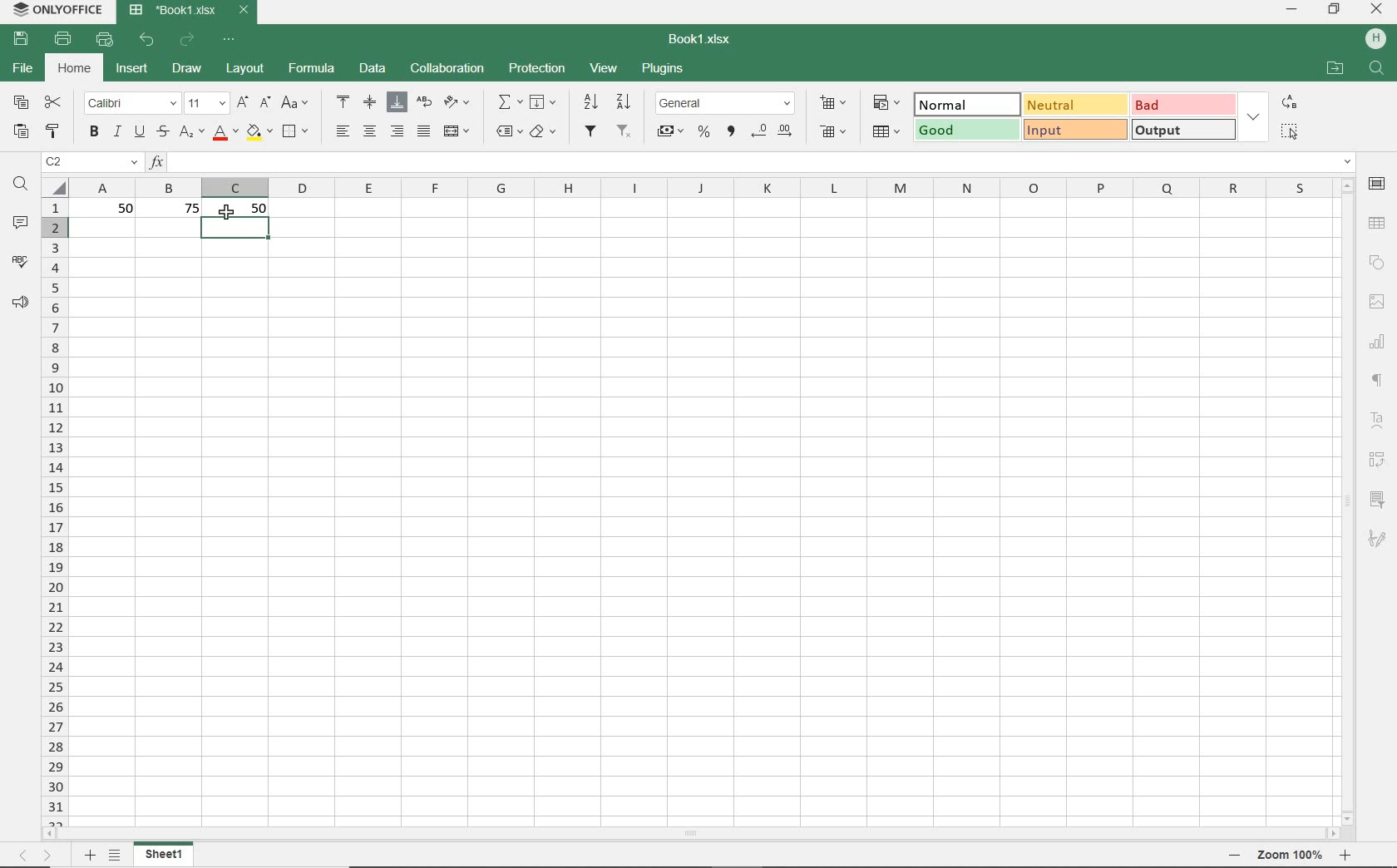  What do you see at coordinates (140, 134) in the screenshot?
I see `underline` at bounding box center [140, 134].